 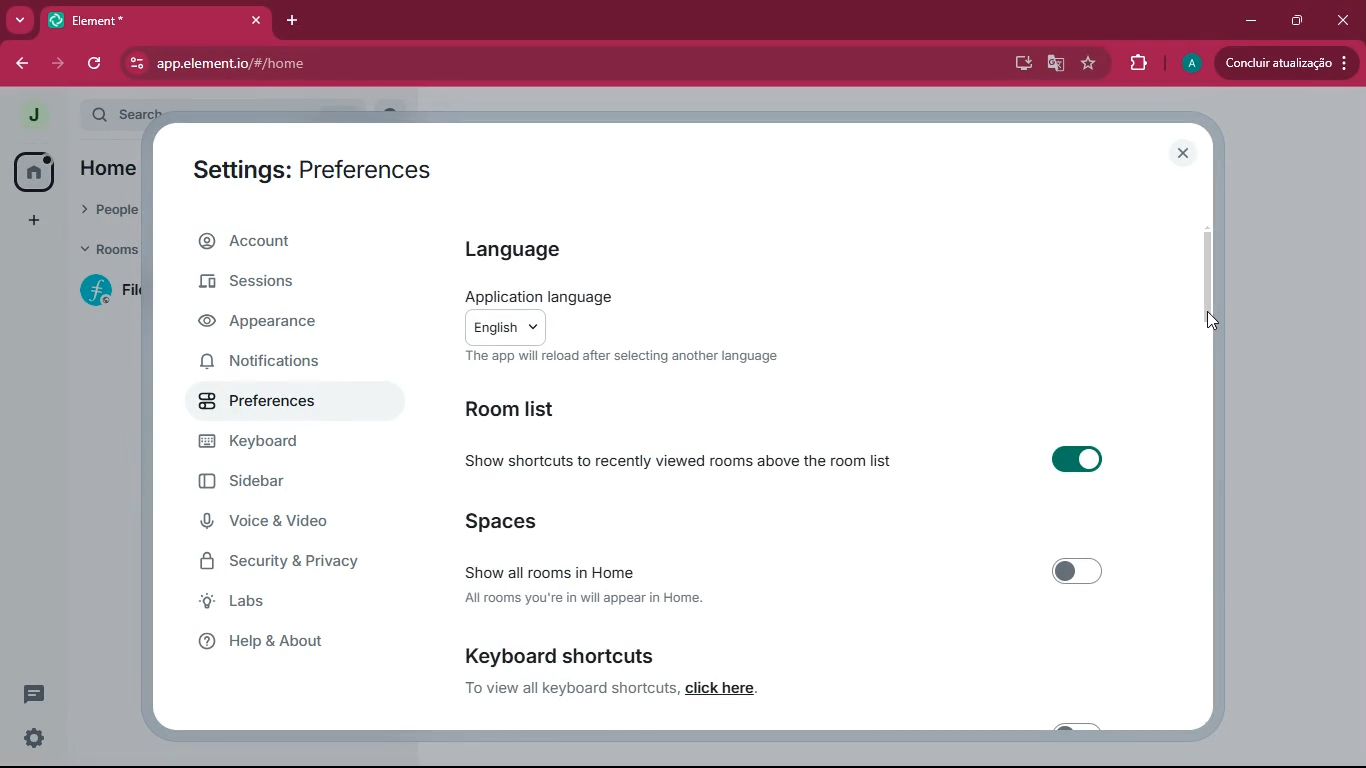 What do you see at coordinates (1087, 63) in the screenshot?
I see `favourite` at bounding box center [1087, 63].